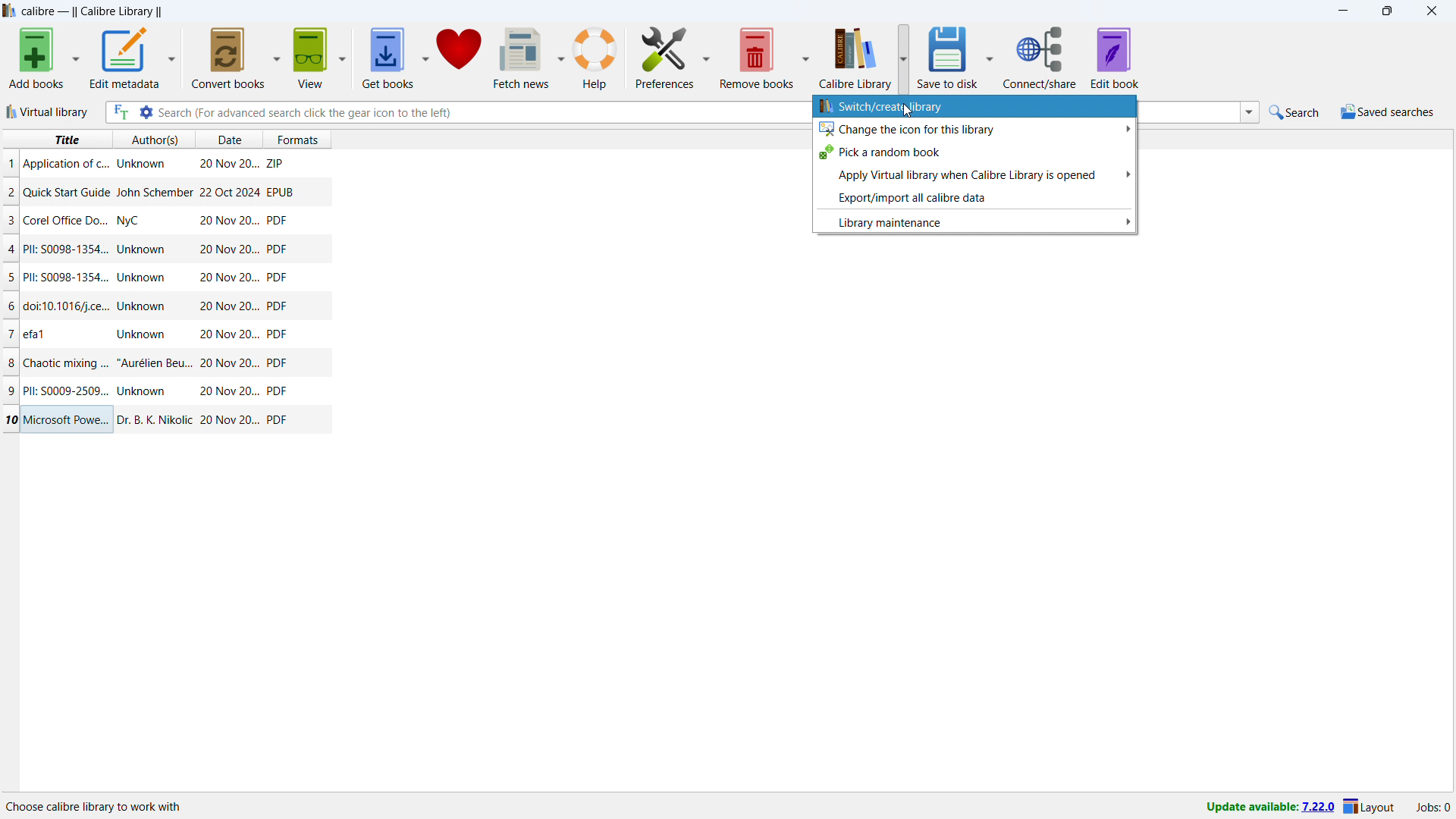  What do you see at coordinates (11, 163) in the screenshot?
I see `1` at bounding box center [11, 163].